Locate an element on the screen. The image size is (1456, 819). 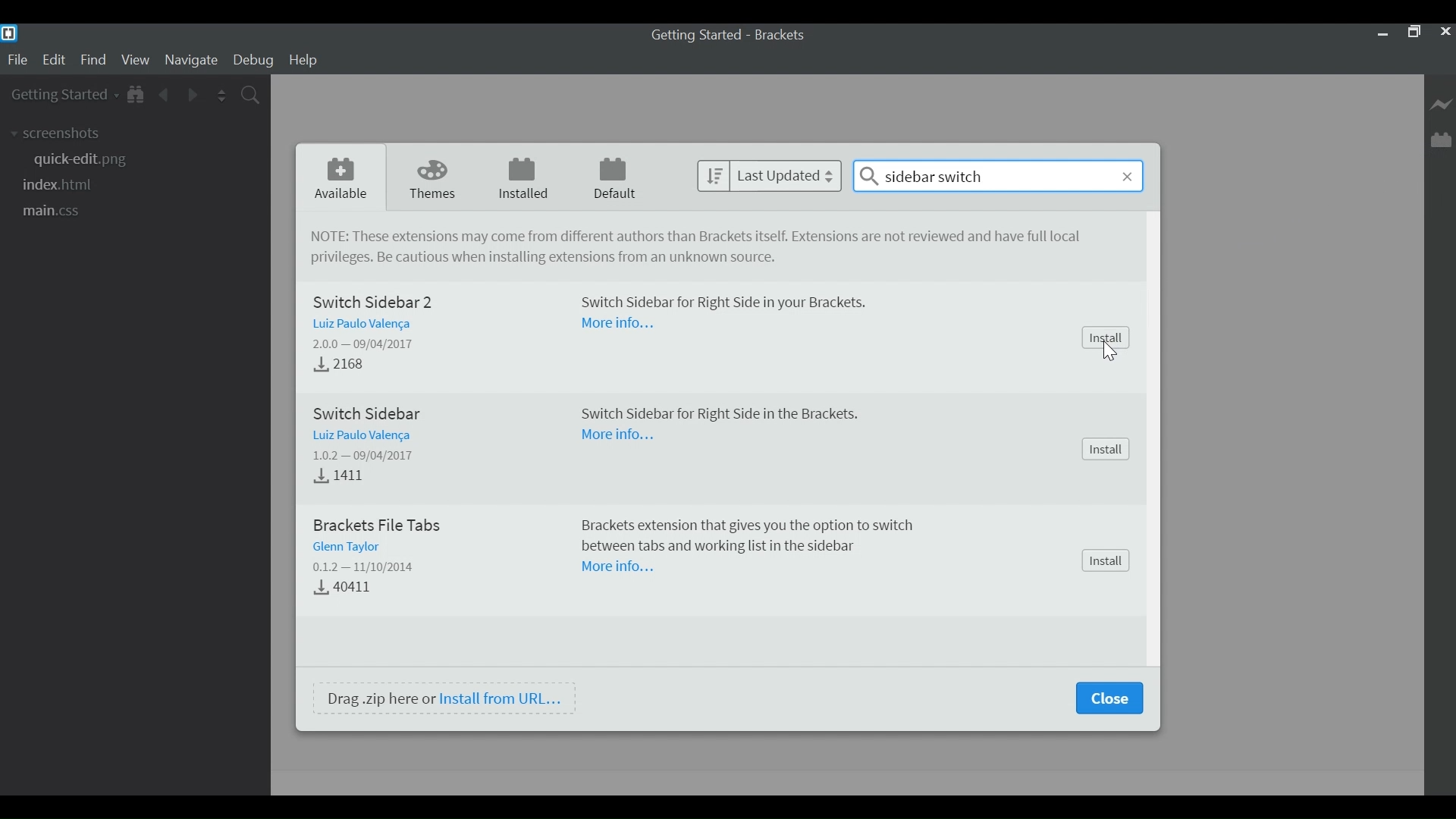
Restore is located at coordinates (1414, 33).